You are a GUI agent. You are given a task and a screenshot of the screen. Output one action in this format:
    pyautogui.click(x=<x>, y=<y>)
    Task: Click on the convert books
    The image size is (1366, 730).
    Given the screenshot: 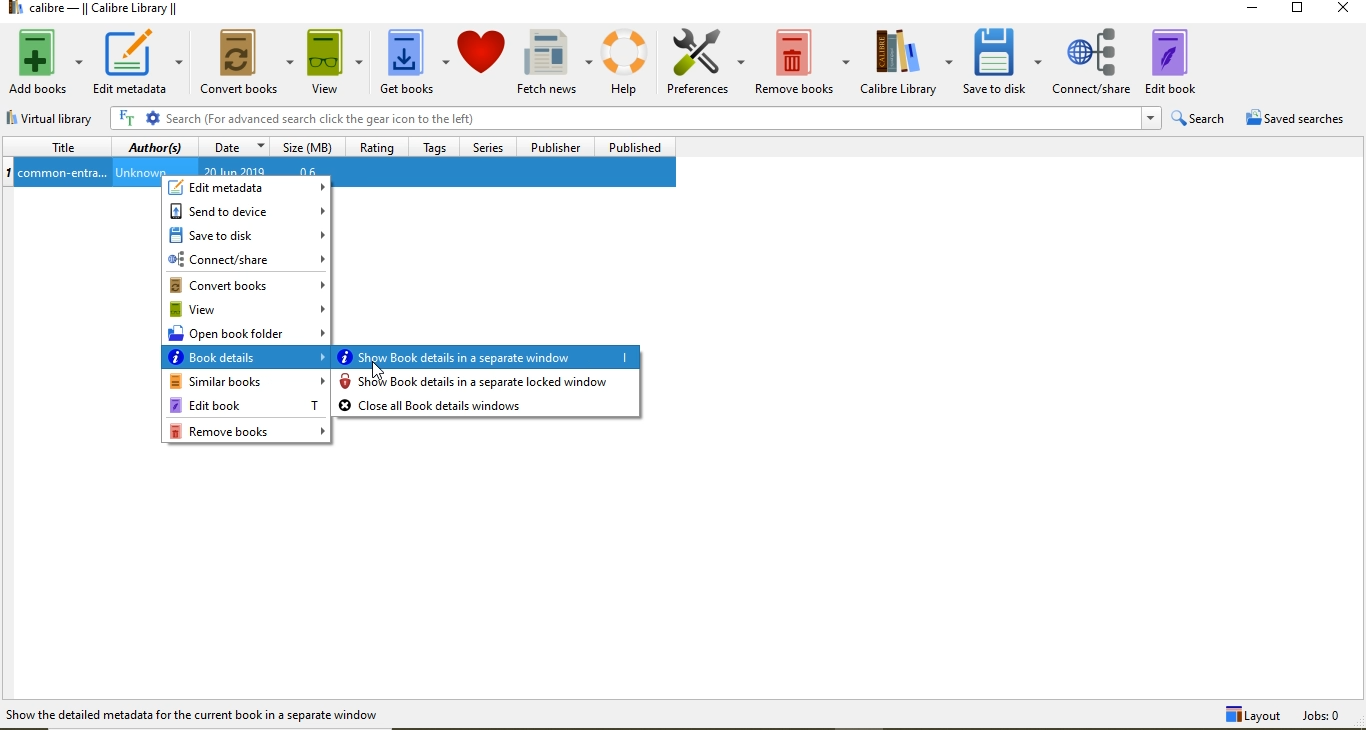 What is the action you would take?
    pyautogui.click(x=246, y=285)
    